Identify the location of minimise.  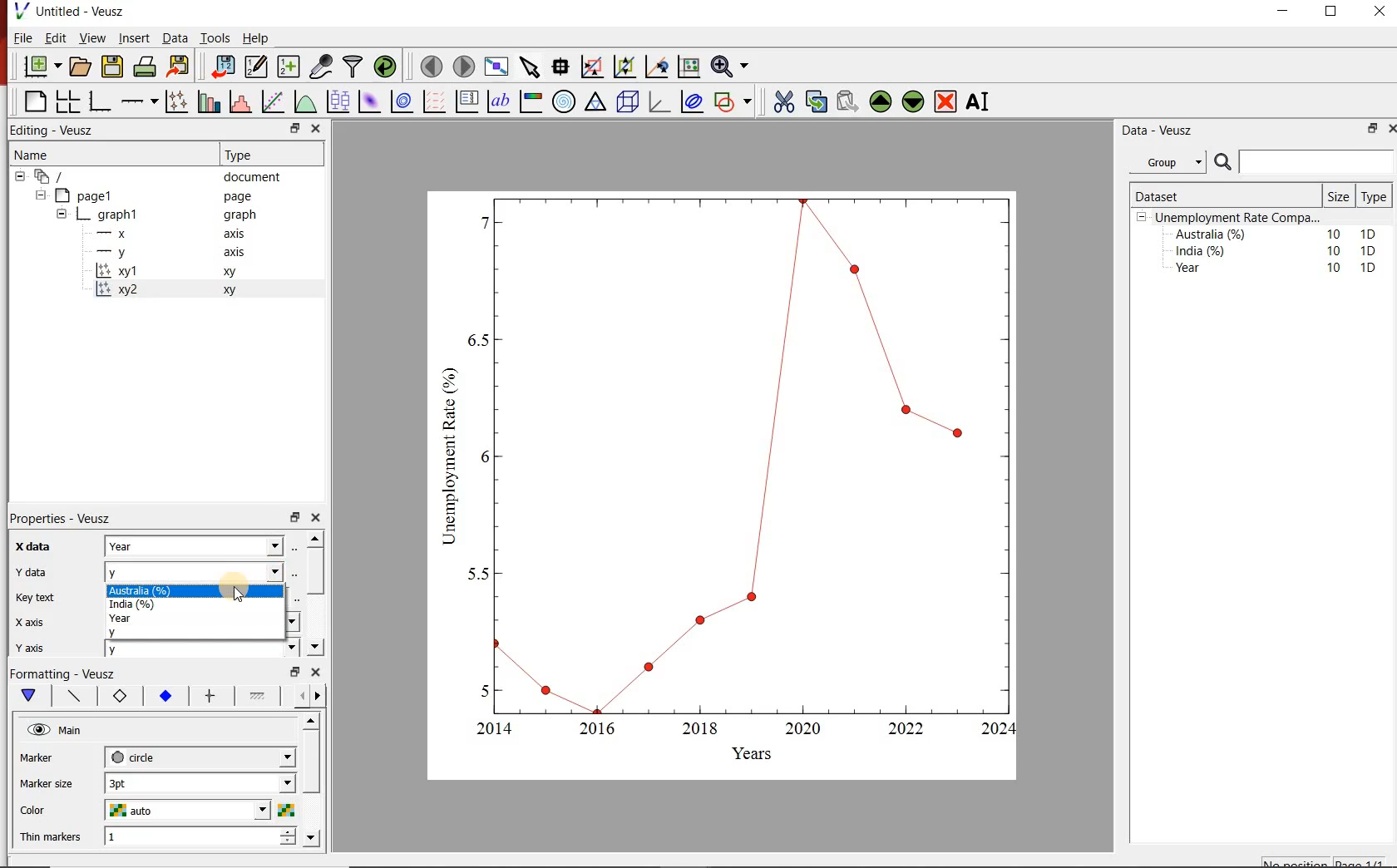
(297, 128).